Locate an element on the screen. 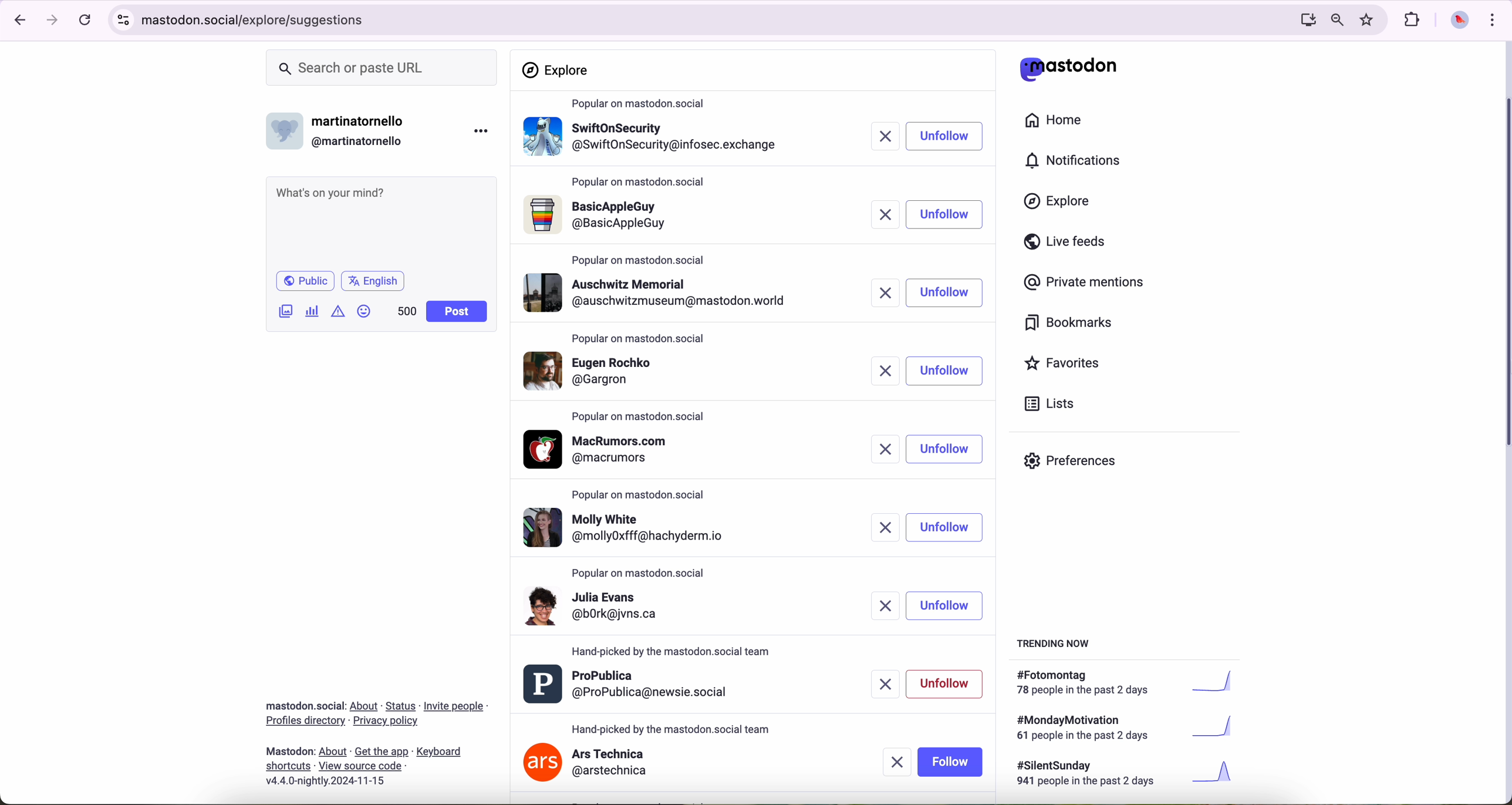  remove is located at coordinates (880, 372).